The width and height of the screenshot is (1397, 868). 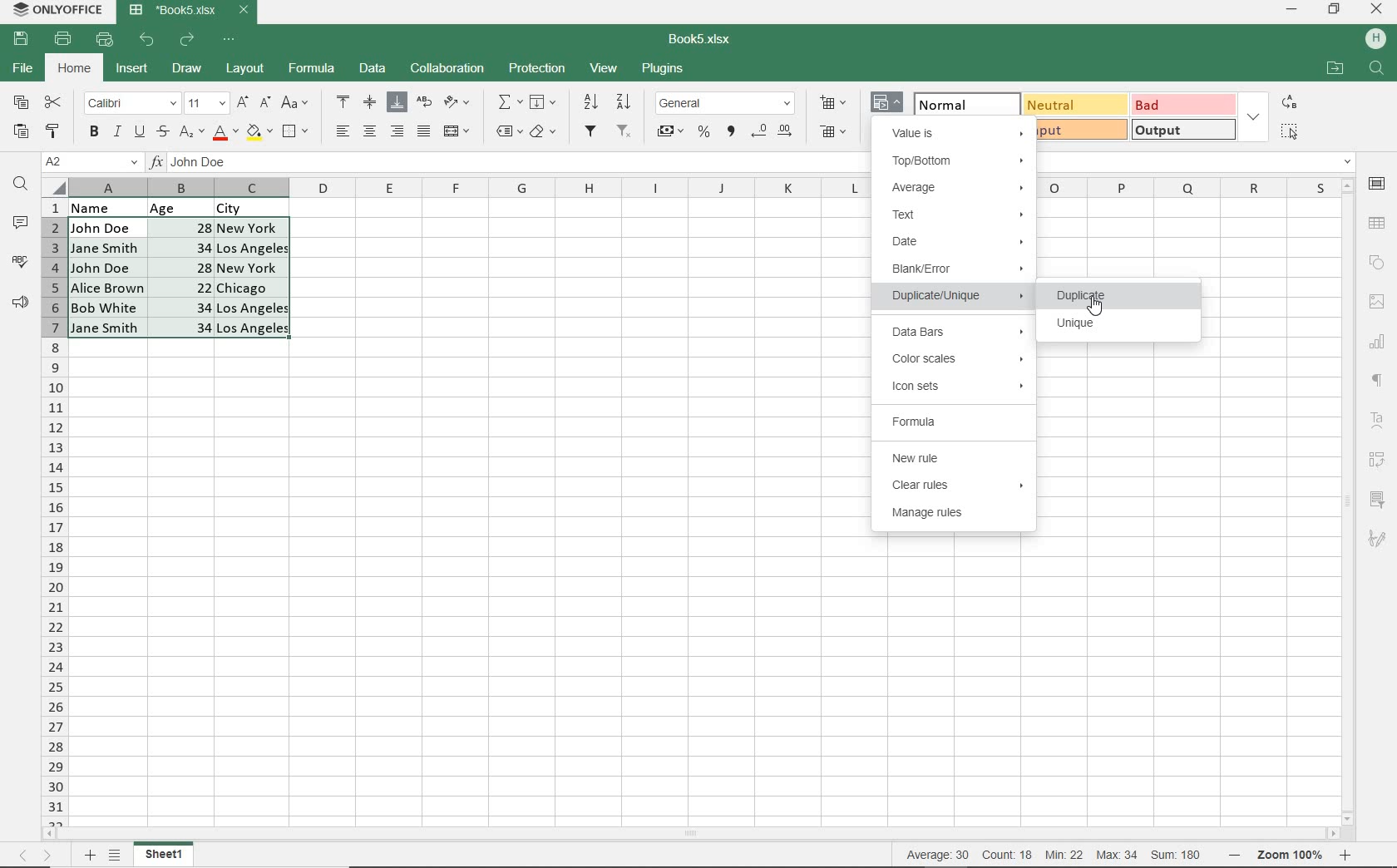 What do you see at coordinates (537, 68) in the screenshot?
I see `PROTECTION` at bounding box center [537, 68].